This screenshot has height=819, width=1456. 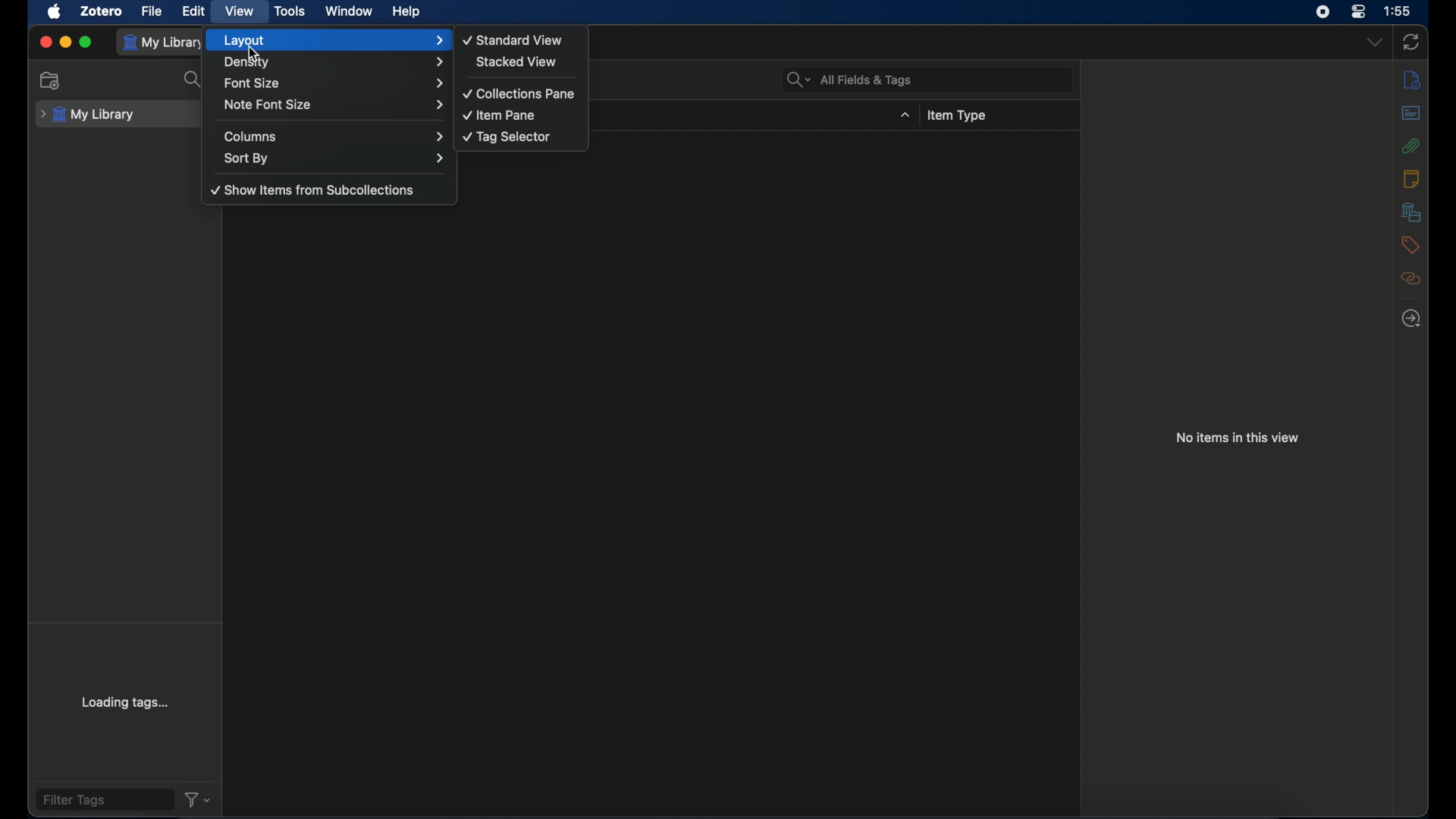 What do you see at coordinates (518, 62) in the screenshot?
I see `stacked view` at bounding box center [518, 62].